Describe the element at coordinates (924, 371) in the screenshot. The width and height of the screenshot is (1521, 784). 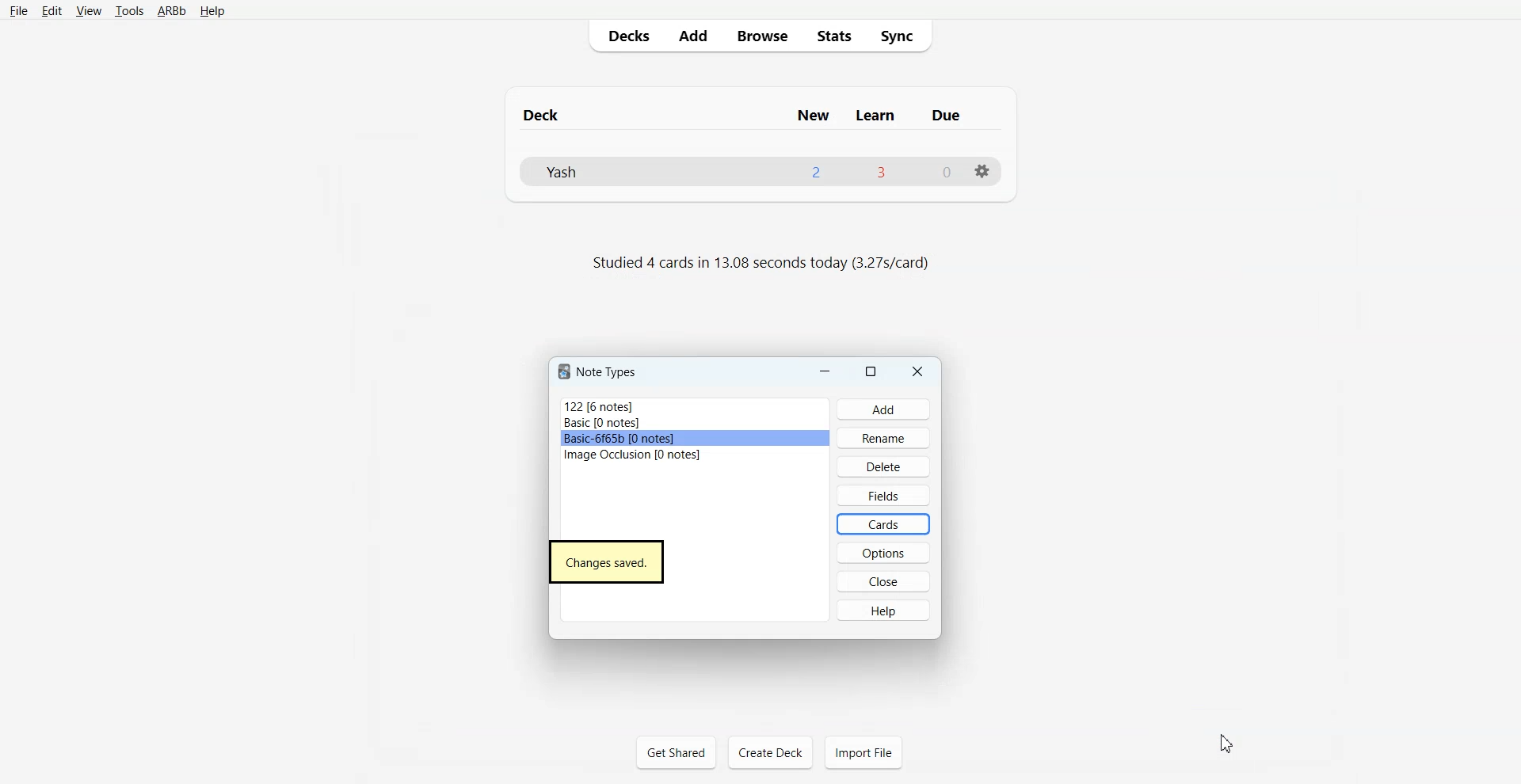
I see `close` at that location.